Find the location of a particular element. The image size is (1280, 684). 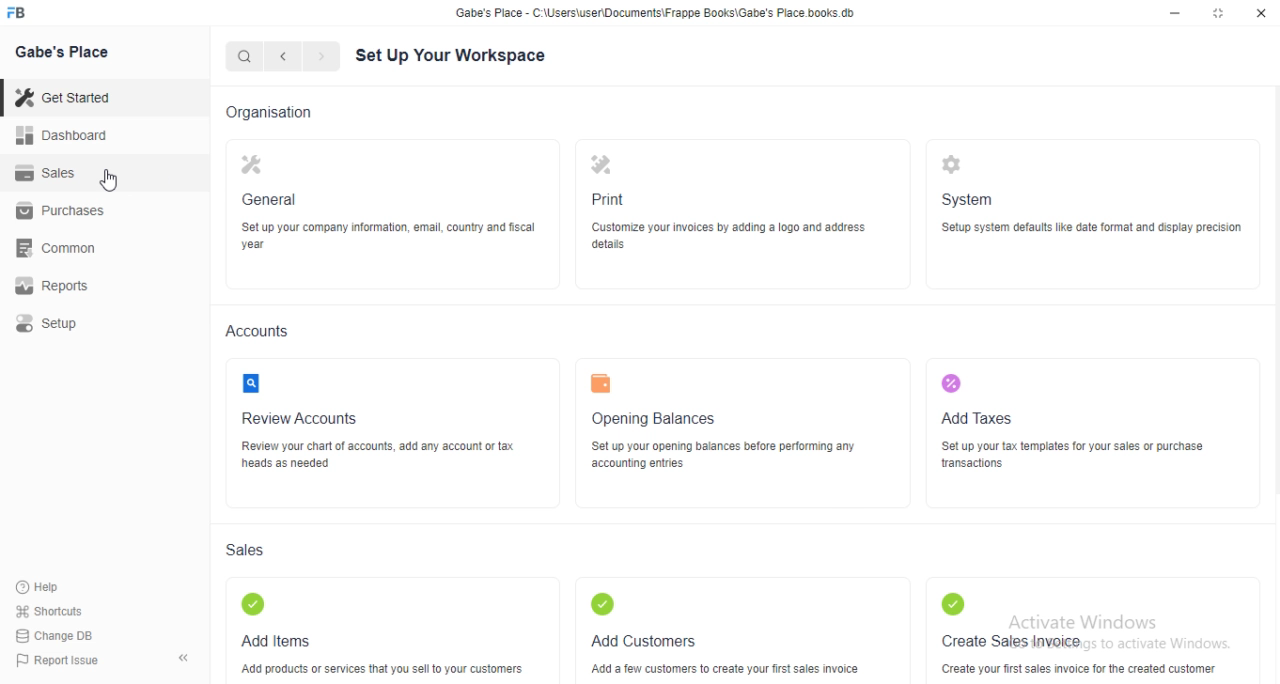

FB-logo is located at coordinates (15, 12).